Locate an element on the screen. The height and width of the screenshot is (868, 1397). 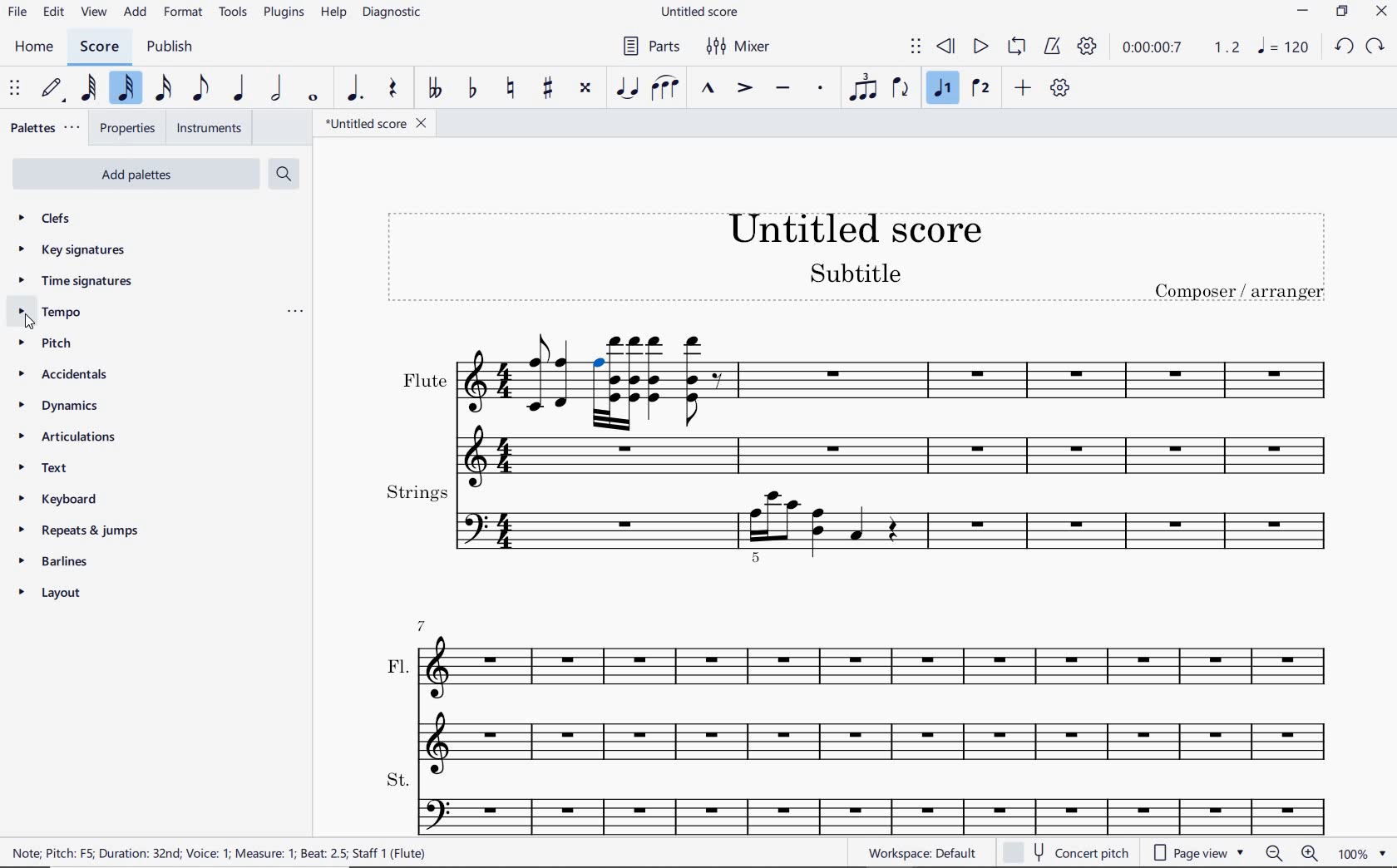
zoom factor is located at coordinates (1363, 852).